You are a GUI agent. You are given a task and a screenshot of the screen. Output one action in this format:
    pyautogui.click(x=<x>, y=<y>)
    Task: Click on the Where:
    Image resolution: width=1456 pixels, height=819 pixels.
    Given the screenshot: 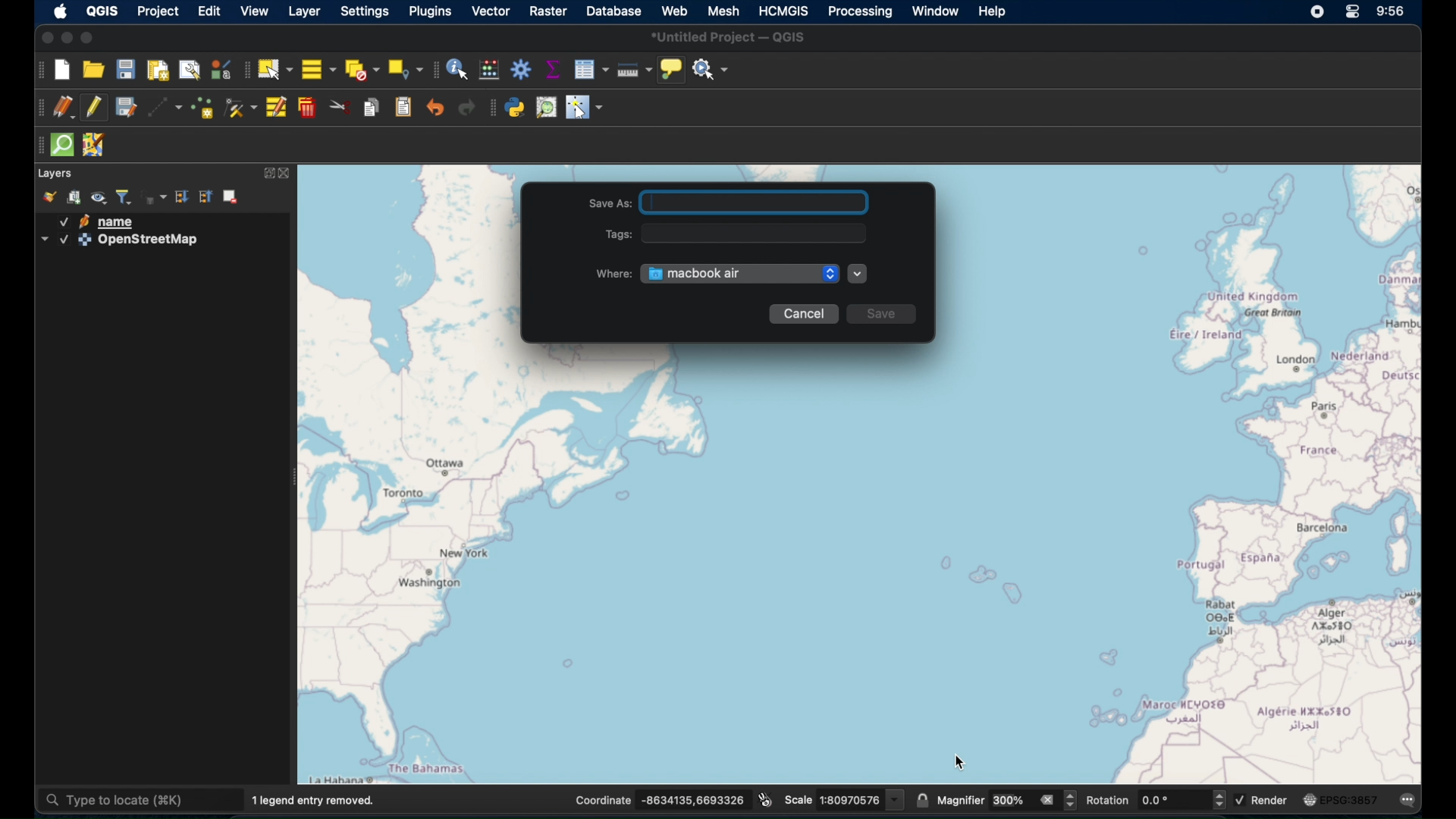 What is the action you would take?
    pyautogui.click(x=614, y=271)
    